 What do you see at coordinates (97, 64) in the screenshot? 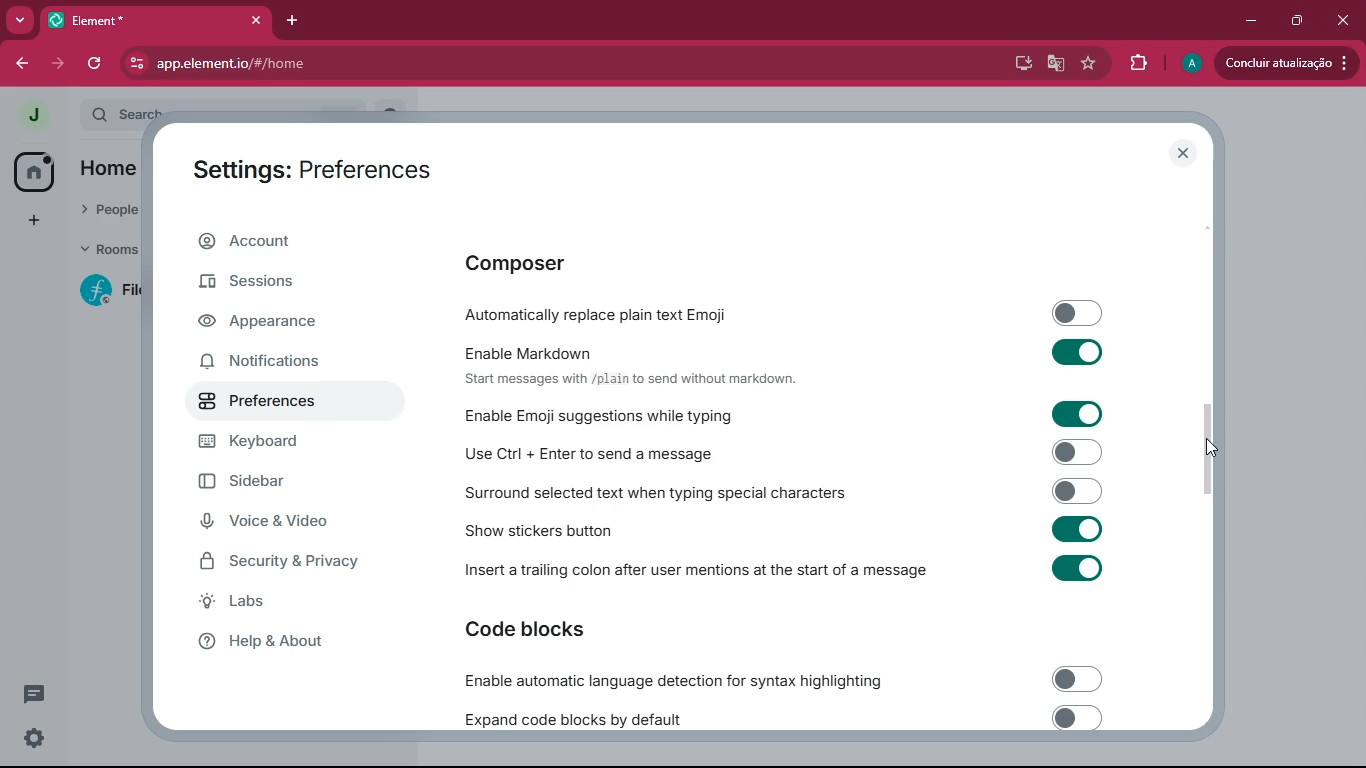
I see `refresh` at bounding box center [97, 64].